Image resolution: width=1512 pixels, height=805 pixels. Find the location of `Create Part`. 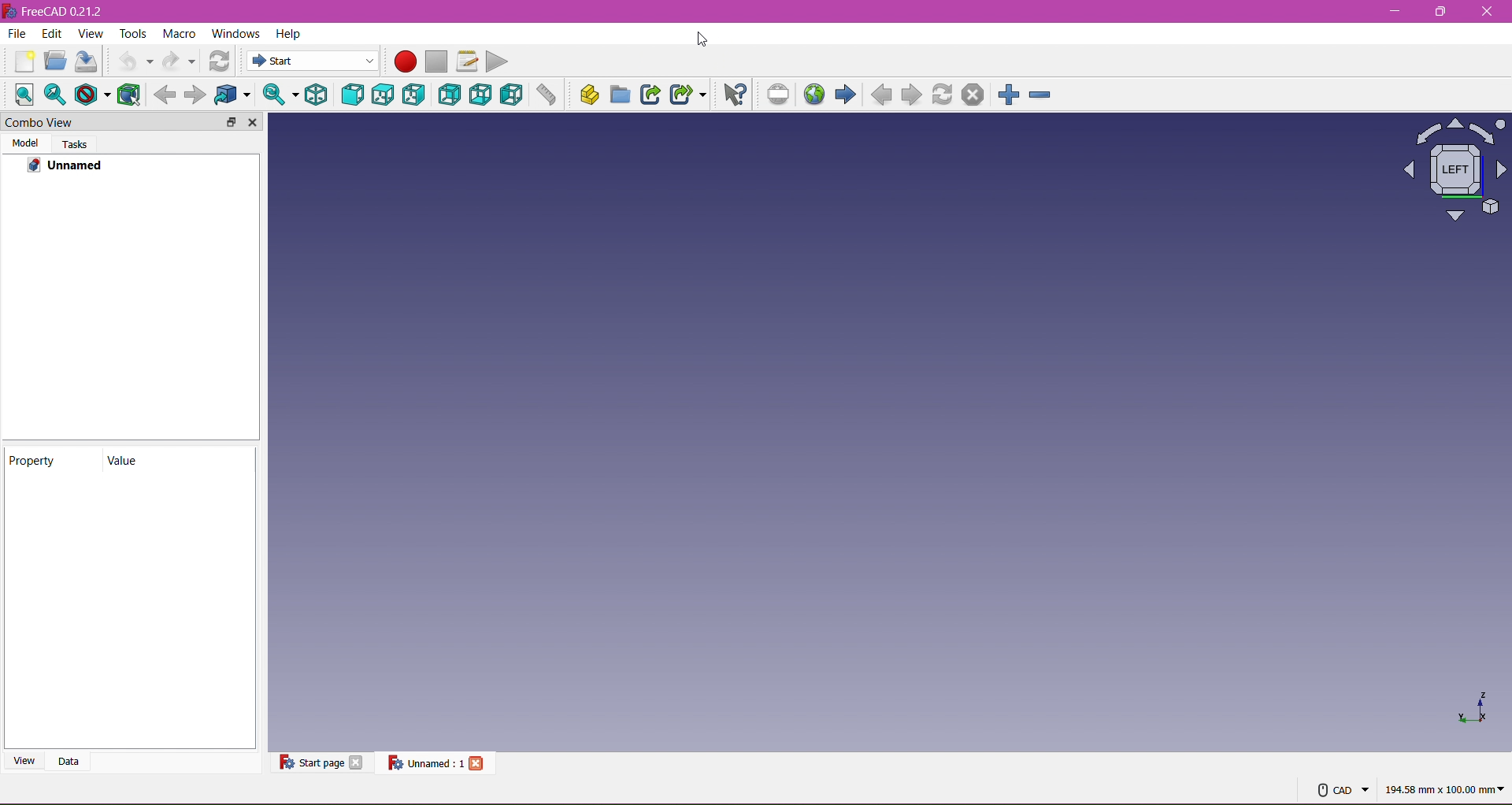

Create Part is located at coordinates (590, 93).